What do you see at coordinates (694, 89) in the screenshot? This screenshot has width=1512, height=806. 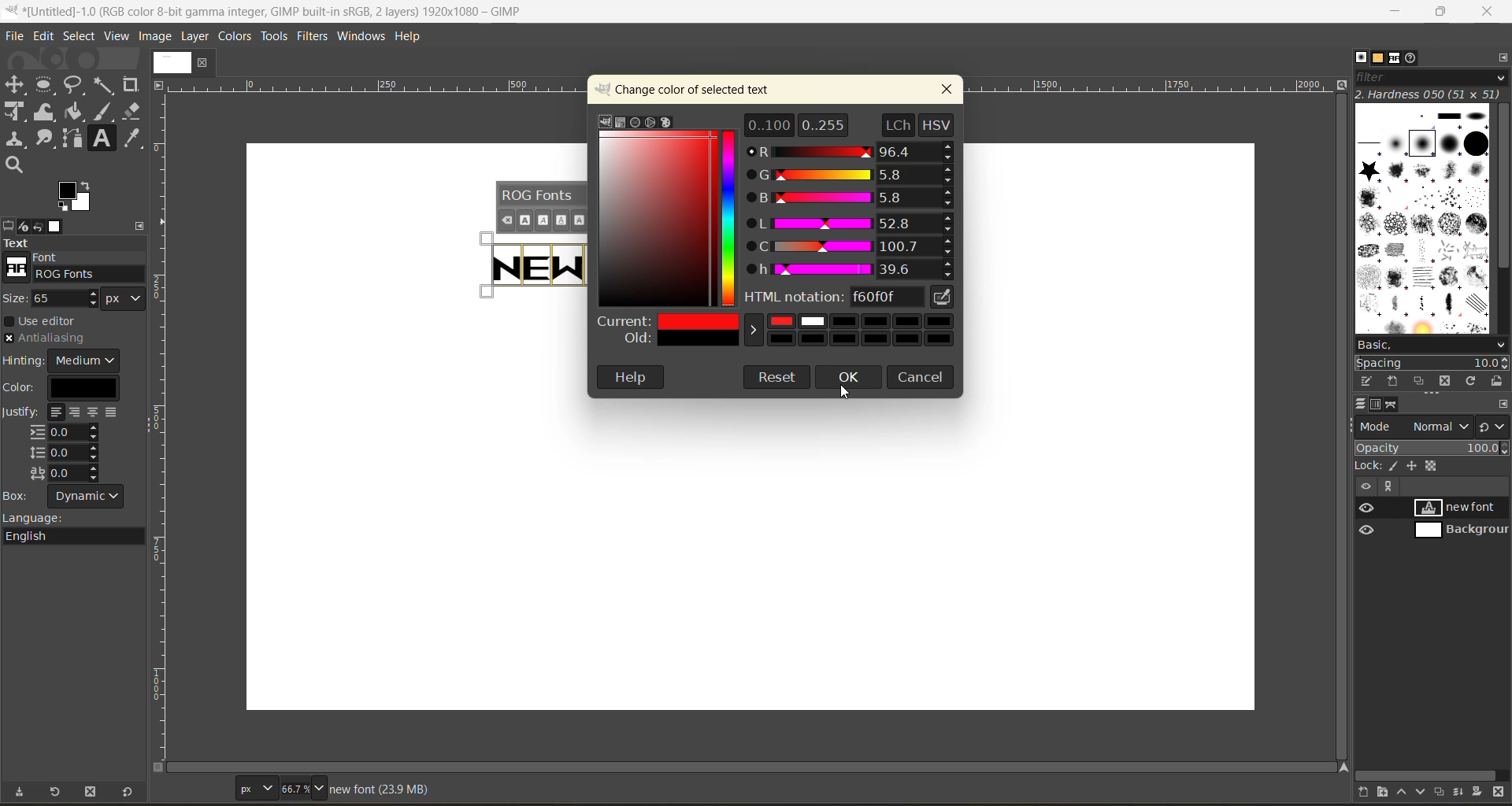 I see `change color` at bounding box center [694, 89].